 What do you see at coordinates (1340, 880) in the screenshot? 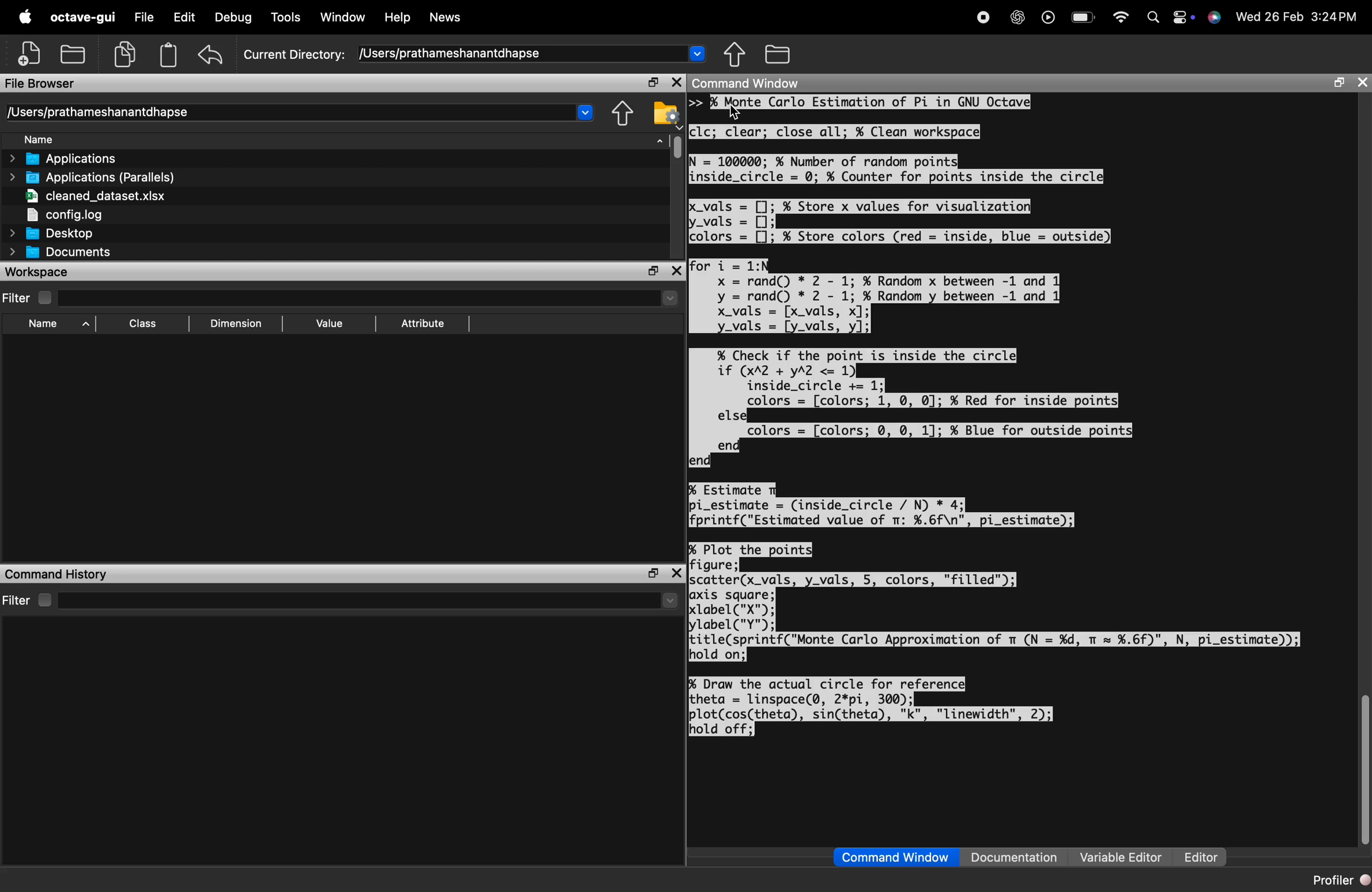
I see `Profiler` at bounding box center [1340, 880].